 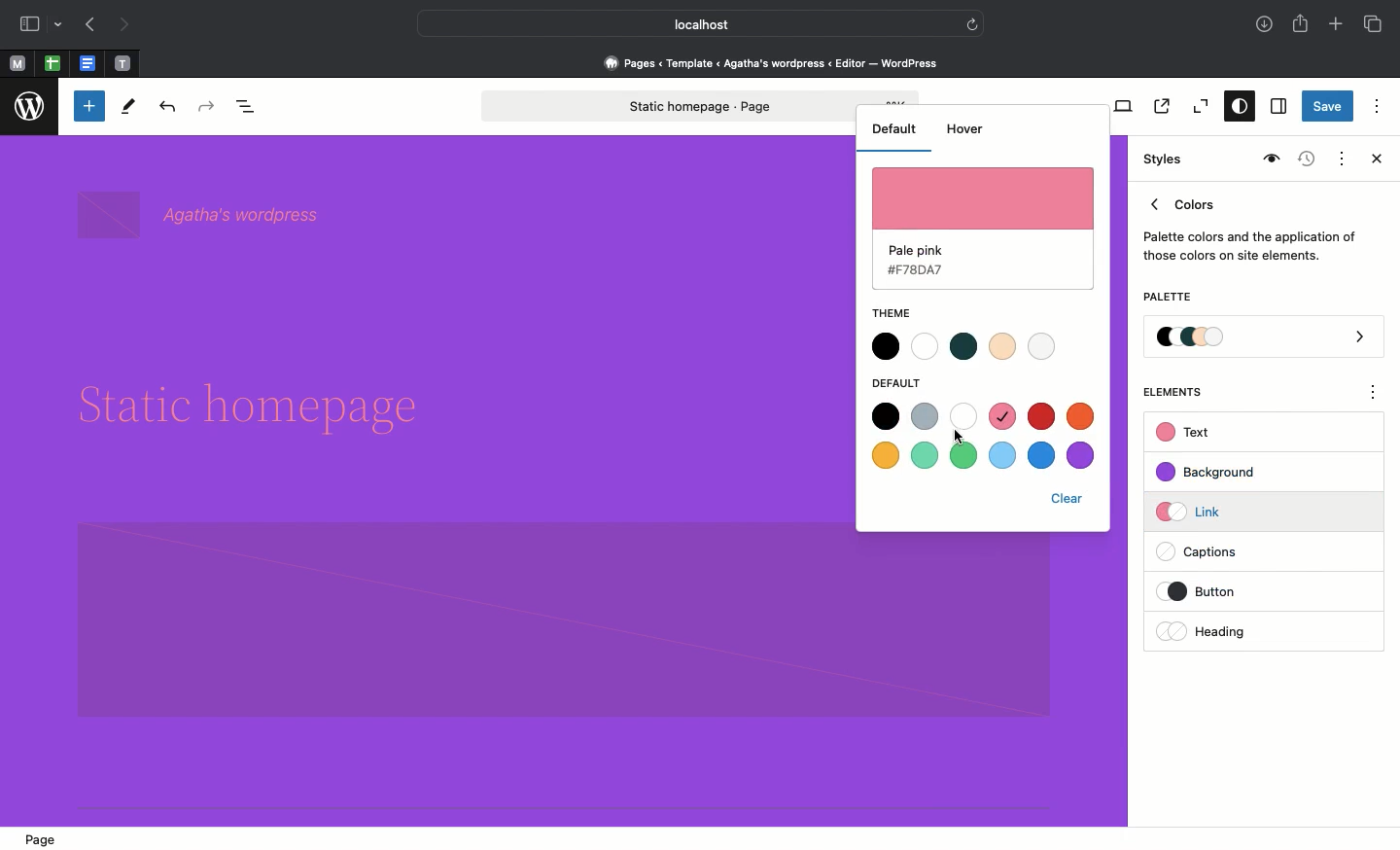 I want to click on Style book, so click(x=1269, y=159).